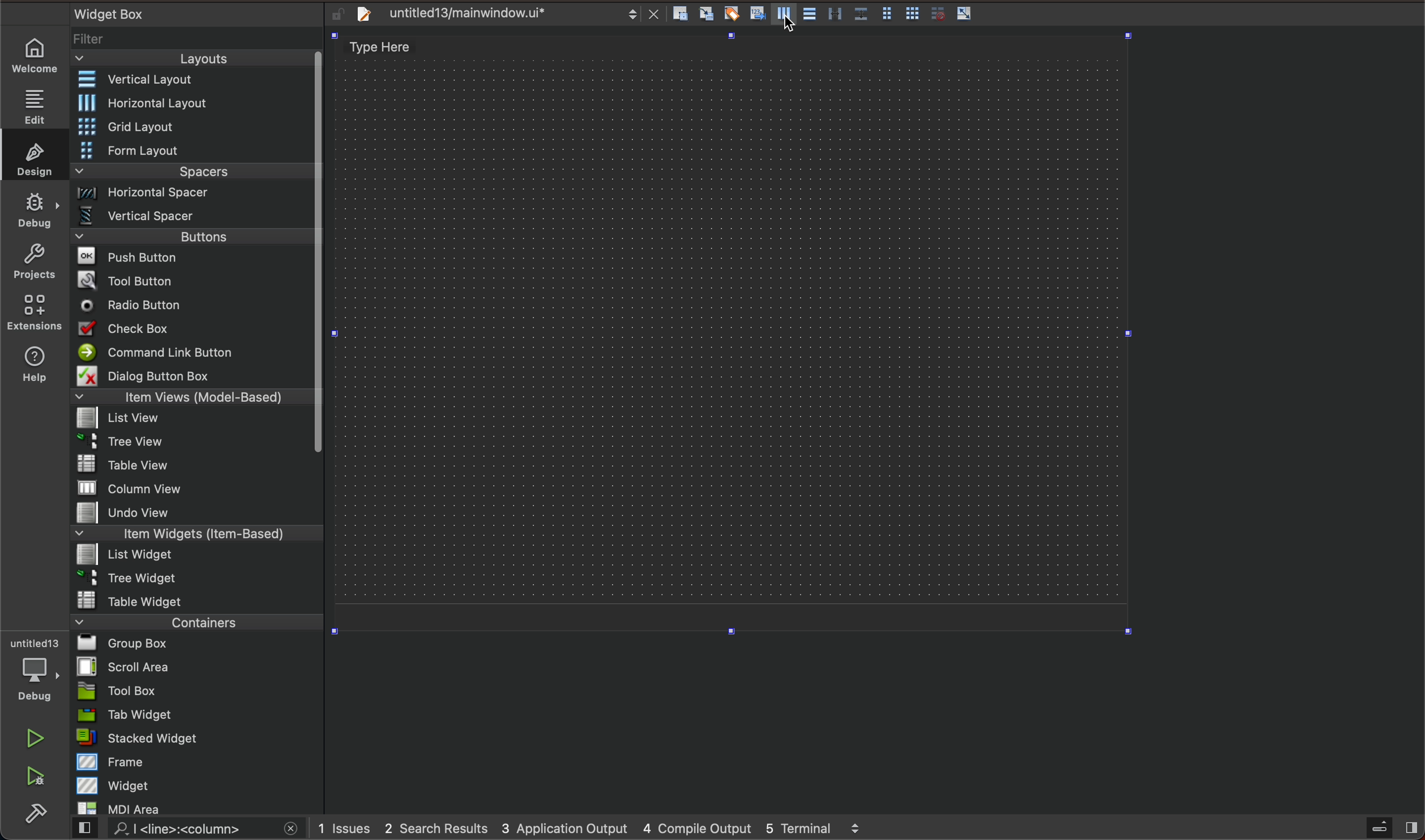 Image resolution: width=1425 pixels, height=840 pixels. I want to click on extensions, so click(36, 312).